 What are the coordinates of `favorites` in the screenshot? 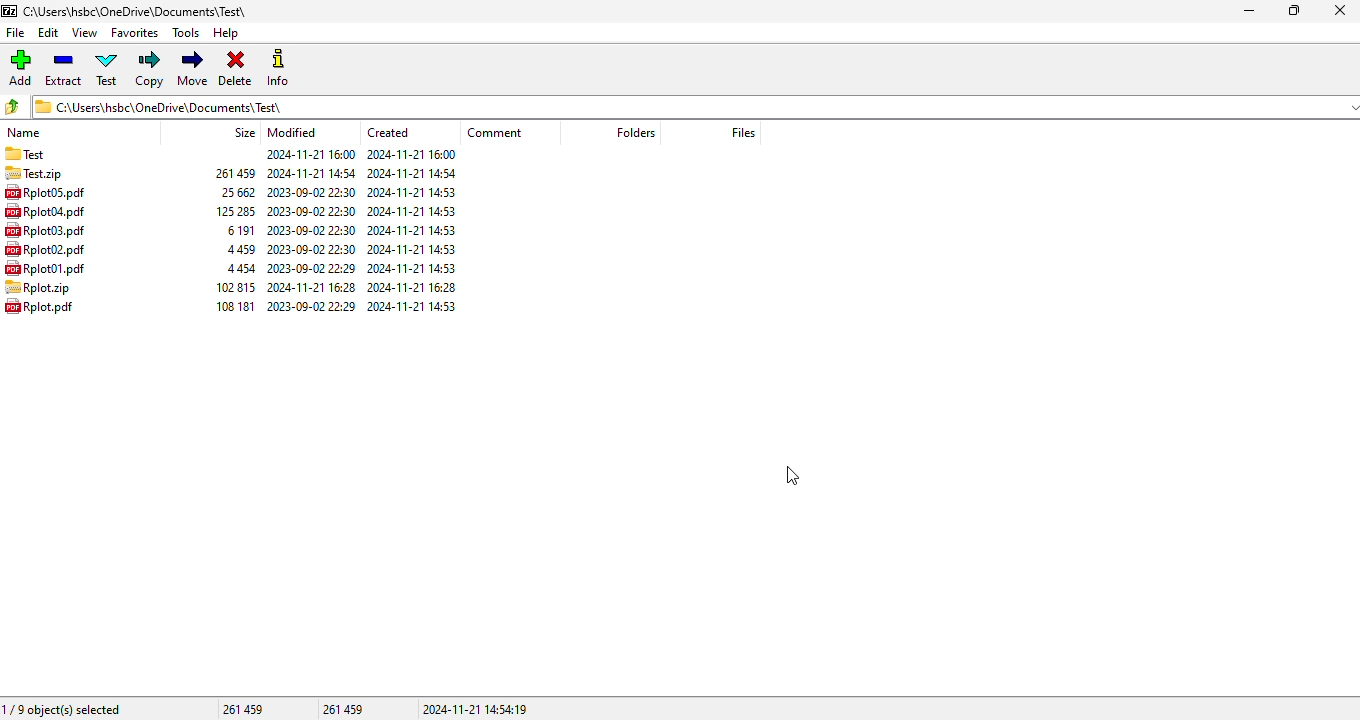 It's located at (135, 33).